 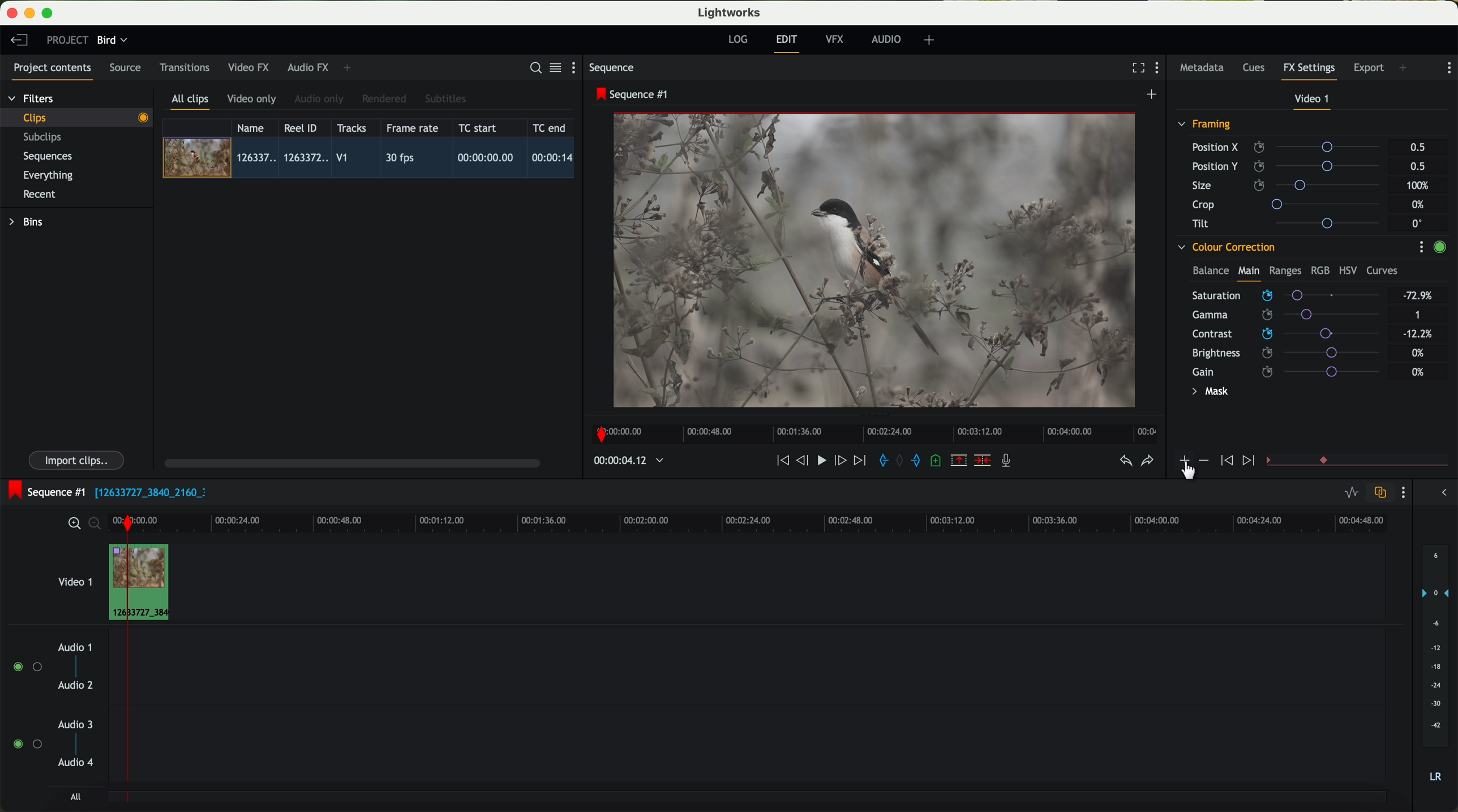 What do you see at coordinates (1309, 71) in the screenshot?
I see `fx settings` at bounding box center [1309, 71].